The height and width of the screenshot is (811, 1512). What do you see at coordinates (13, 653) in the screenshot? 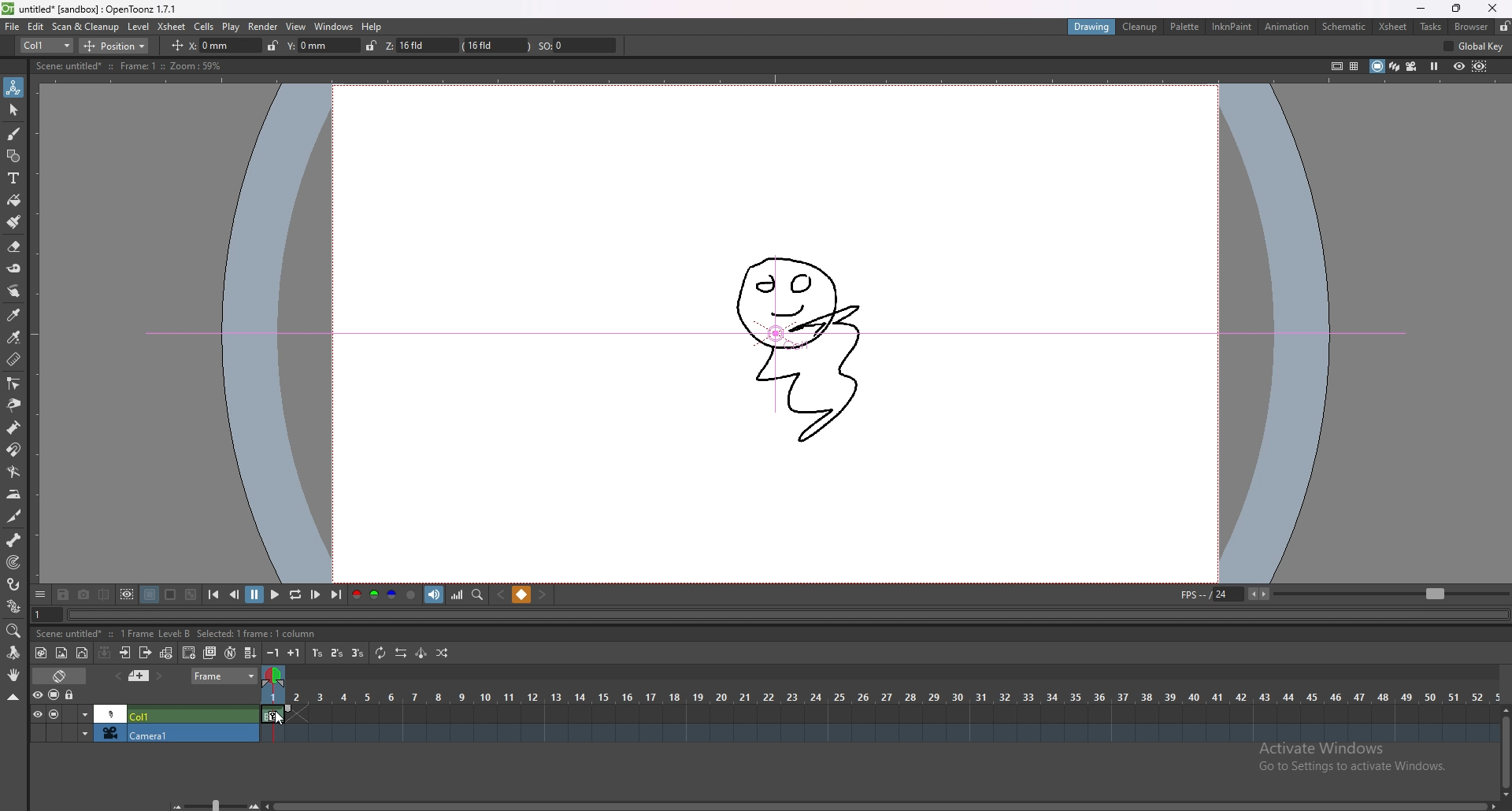
I see `rotate` at bounding box center [13, 653].